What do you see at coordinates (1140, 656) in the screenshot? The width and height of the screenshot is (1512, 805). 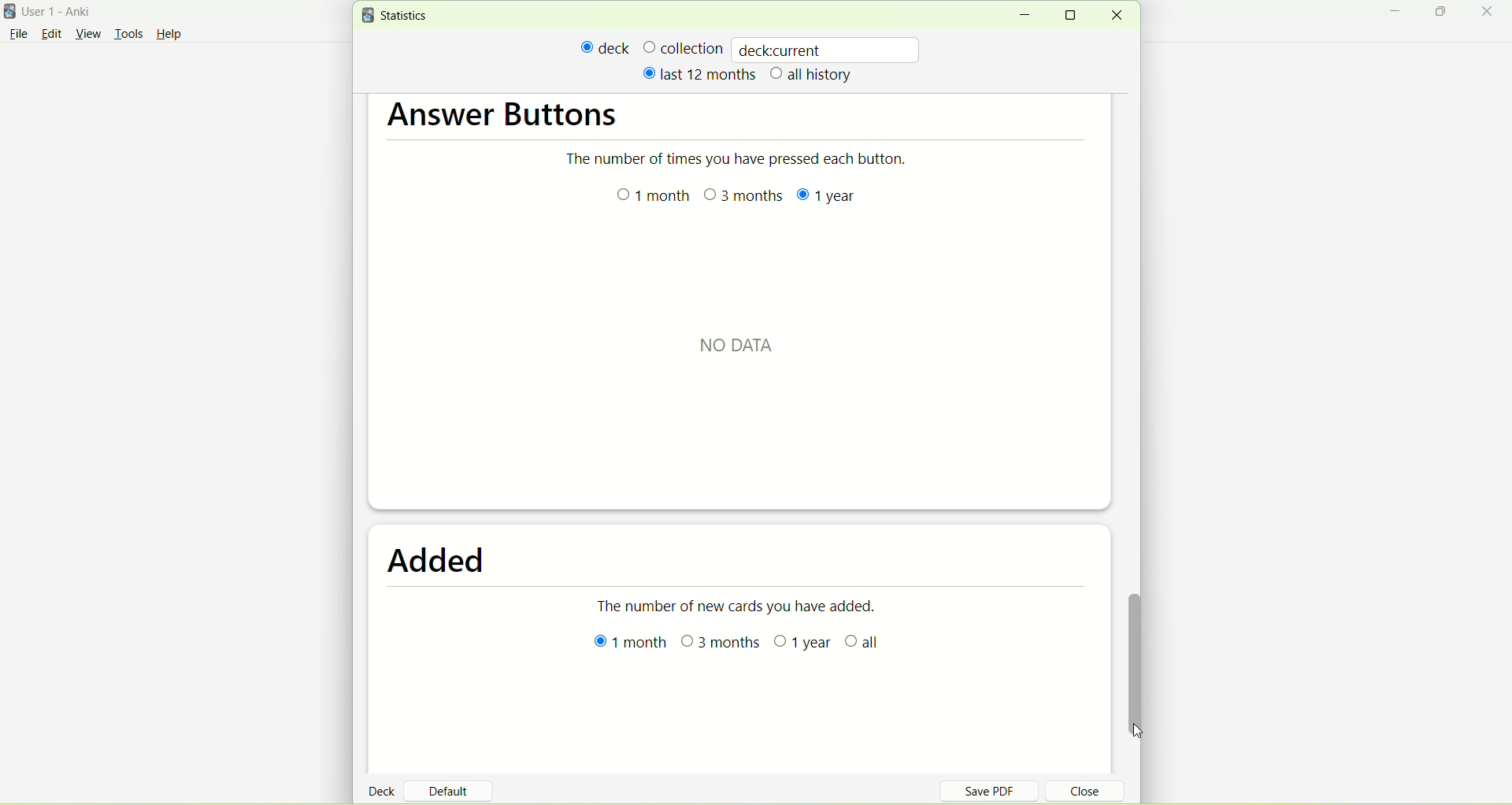 I see `vertical scroll bar` at bounding box center [1140, 656].